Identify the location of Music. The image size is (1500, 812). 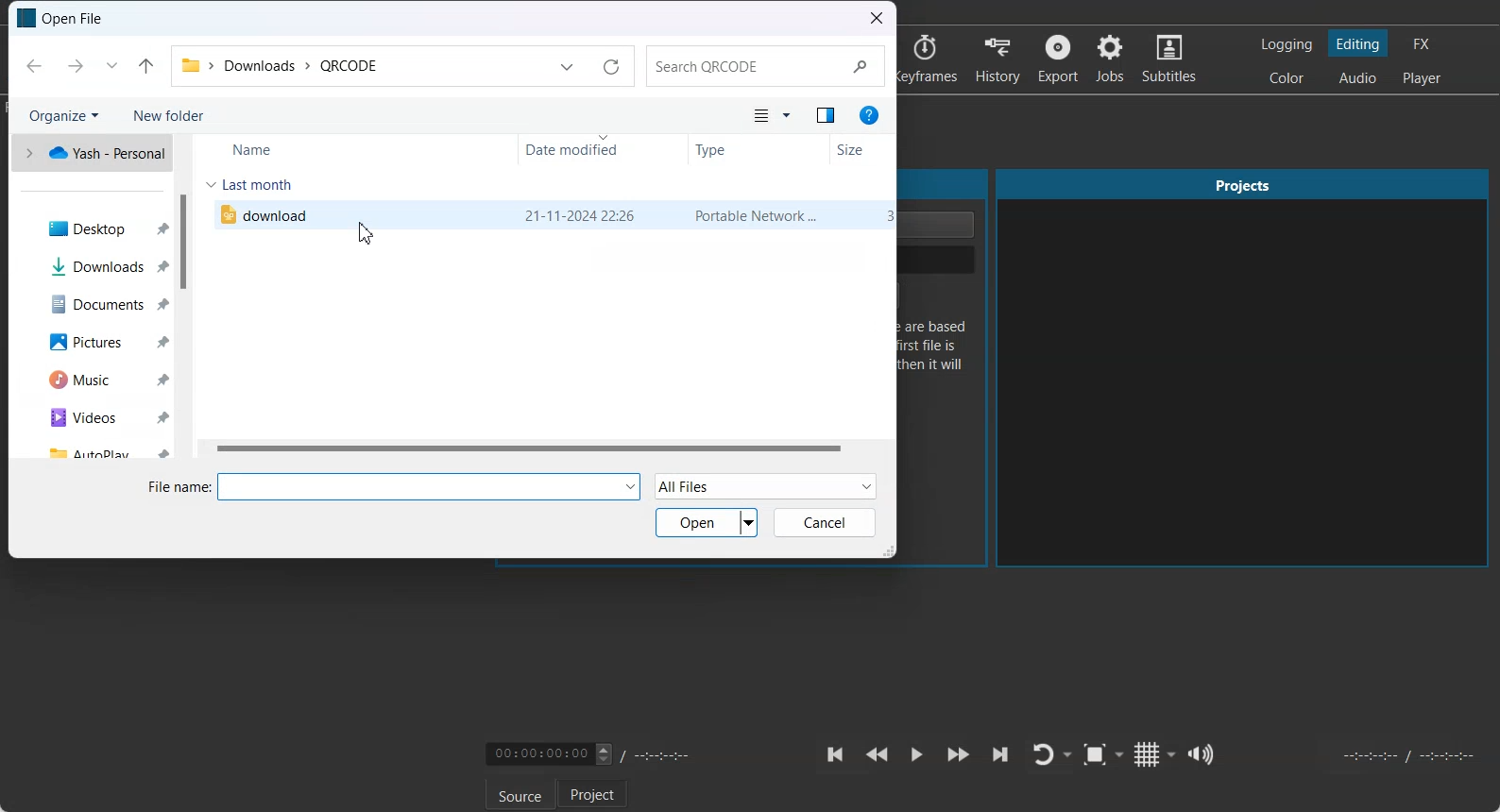
(91, 379).